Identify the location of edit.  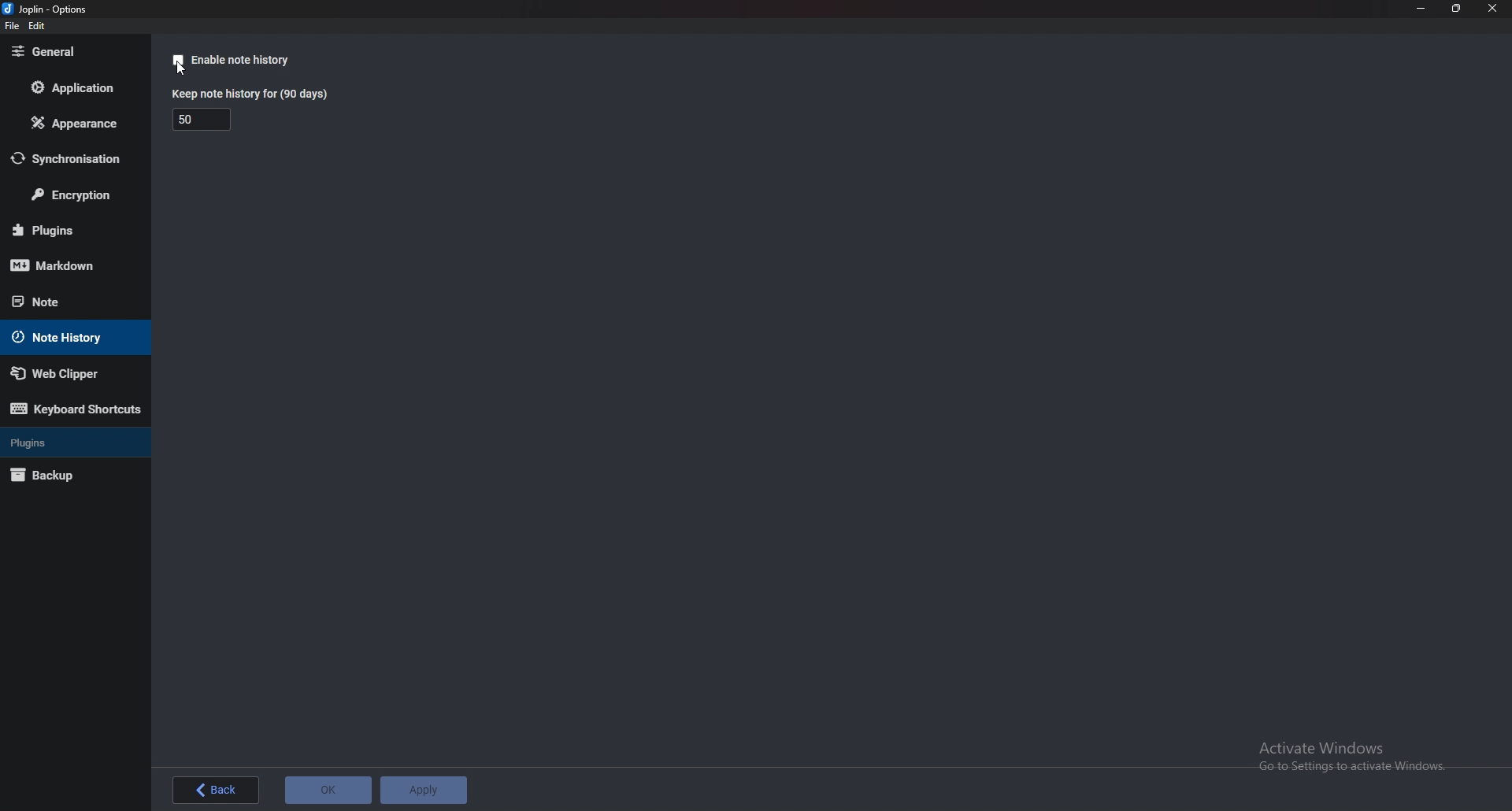
(38, 26).